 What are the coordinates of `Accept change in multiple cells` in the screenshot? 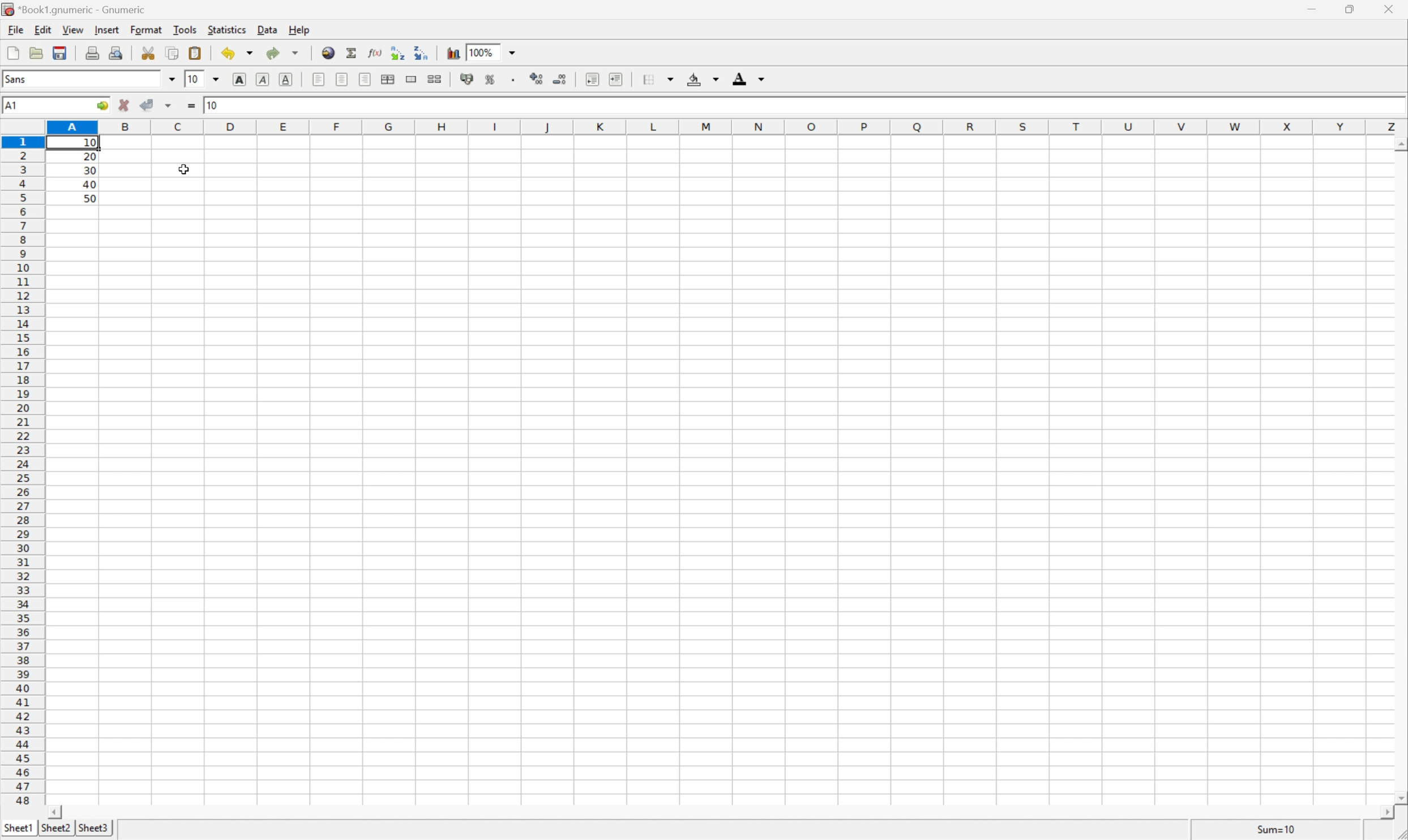 It's located at (168, 106).